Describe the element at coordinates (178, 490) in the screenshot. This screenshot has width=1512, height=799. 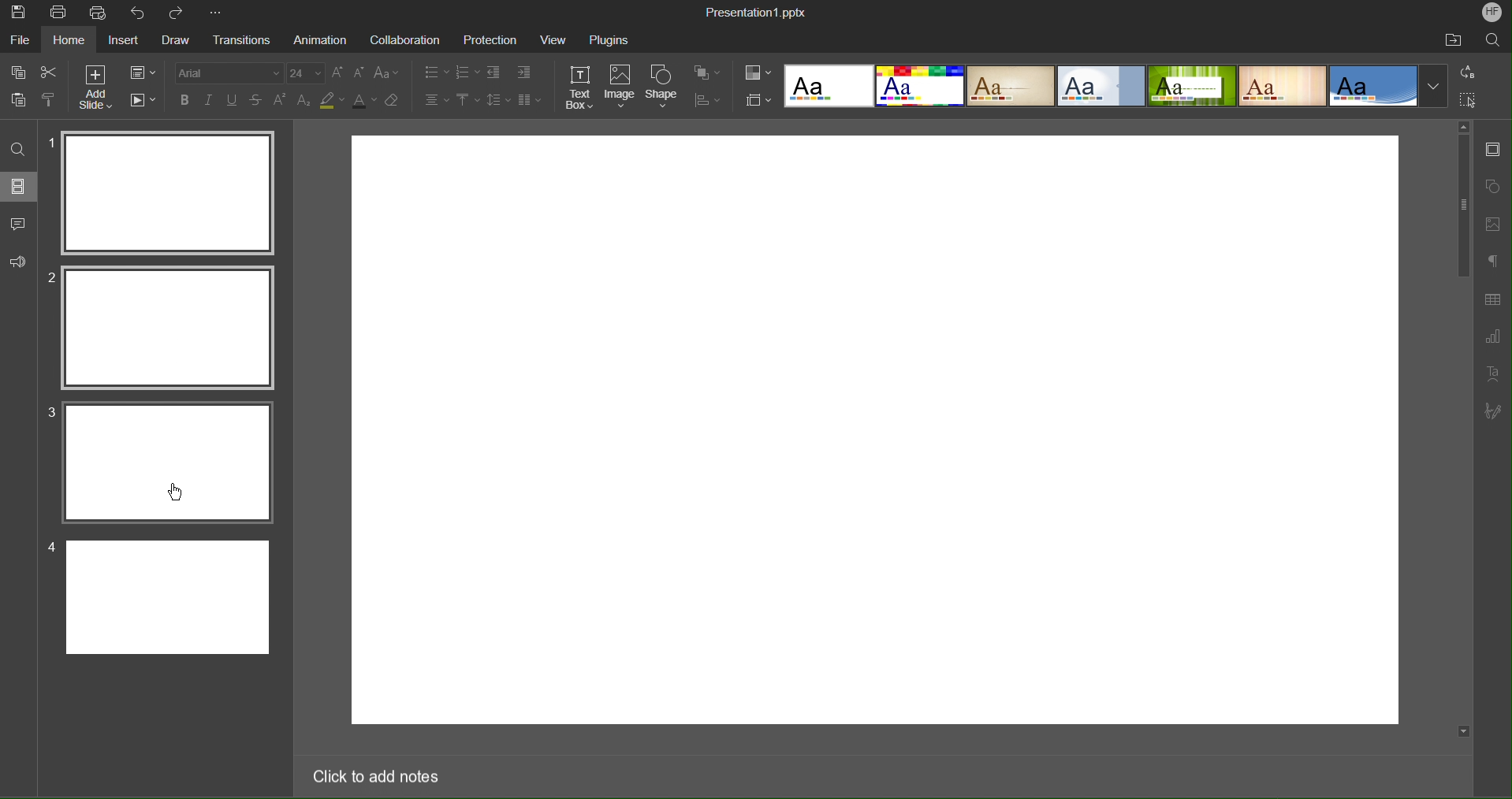
I see `Cursor` at that location.